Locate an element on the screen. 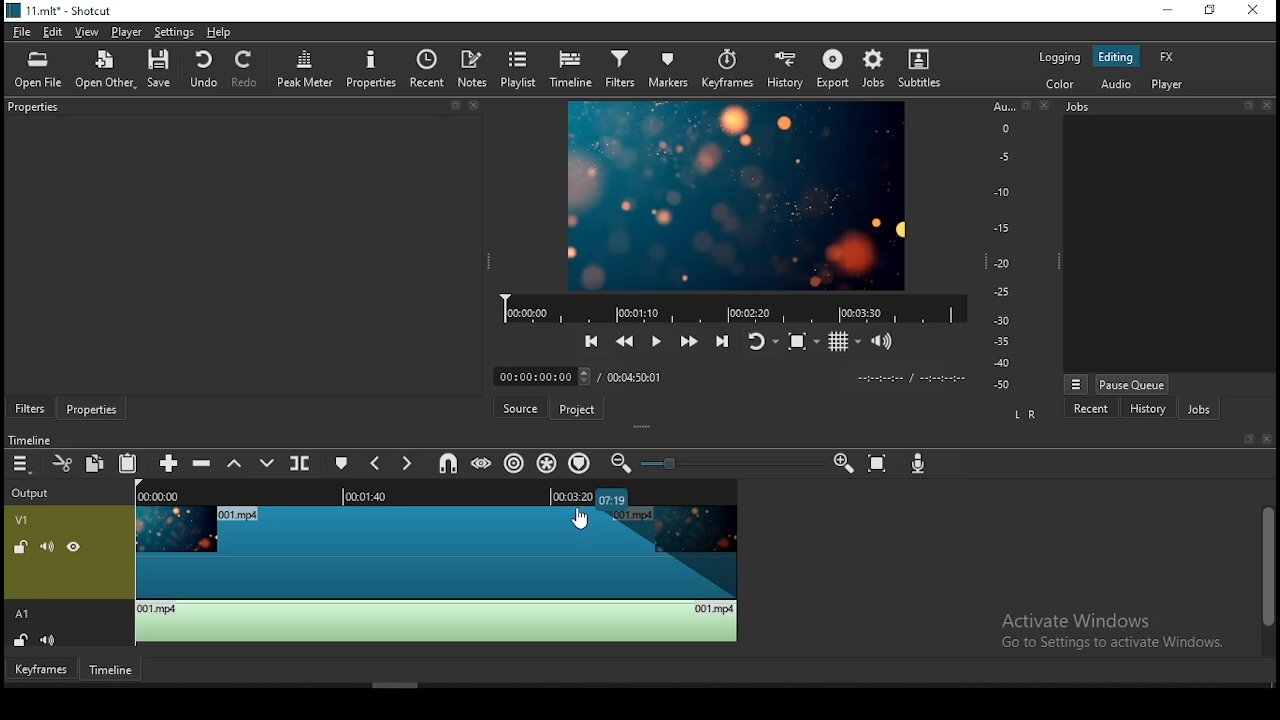  properties is located at coordinates (371, 68).